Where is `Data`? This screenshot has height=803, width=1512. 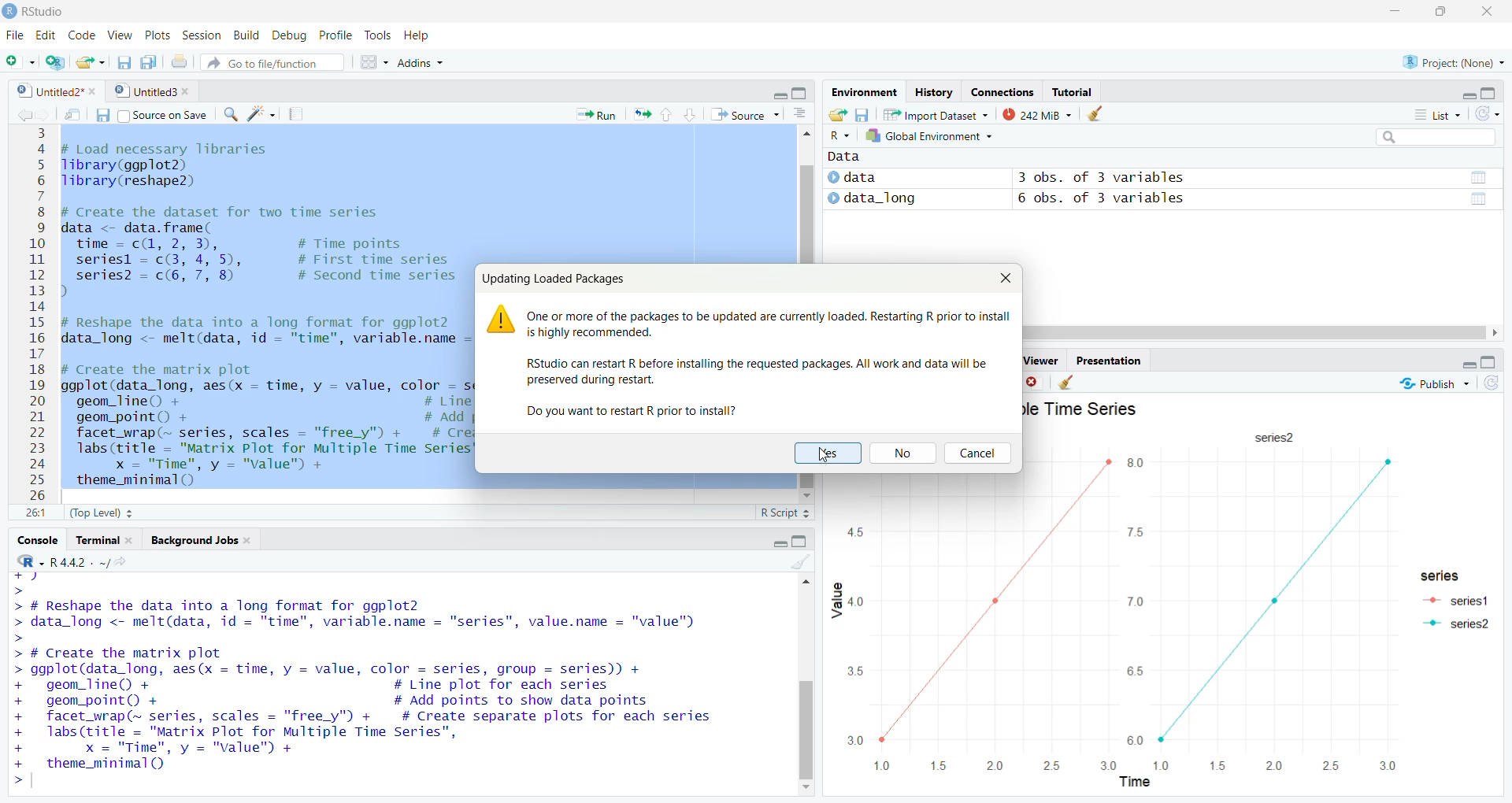
Data is located at coordinates (847, 157).